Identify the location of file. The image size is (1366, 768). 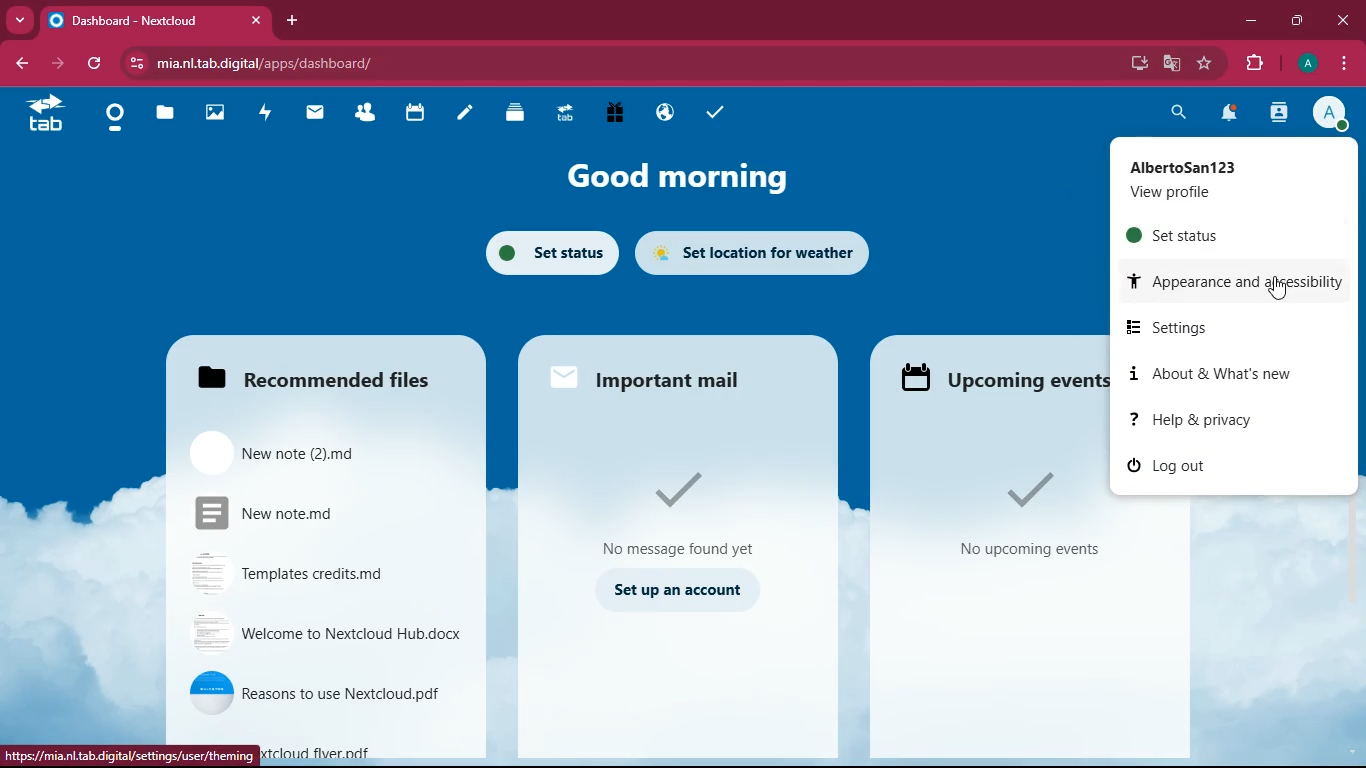
(330, 635).